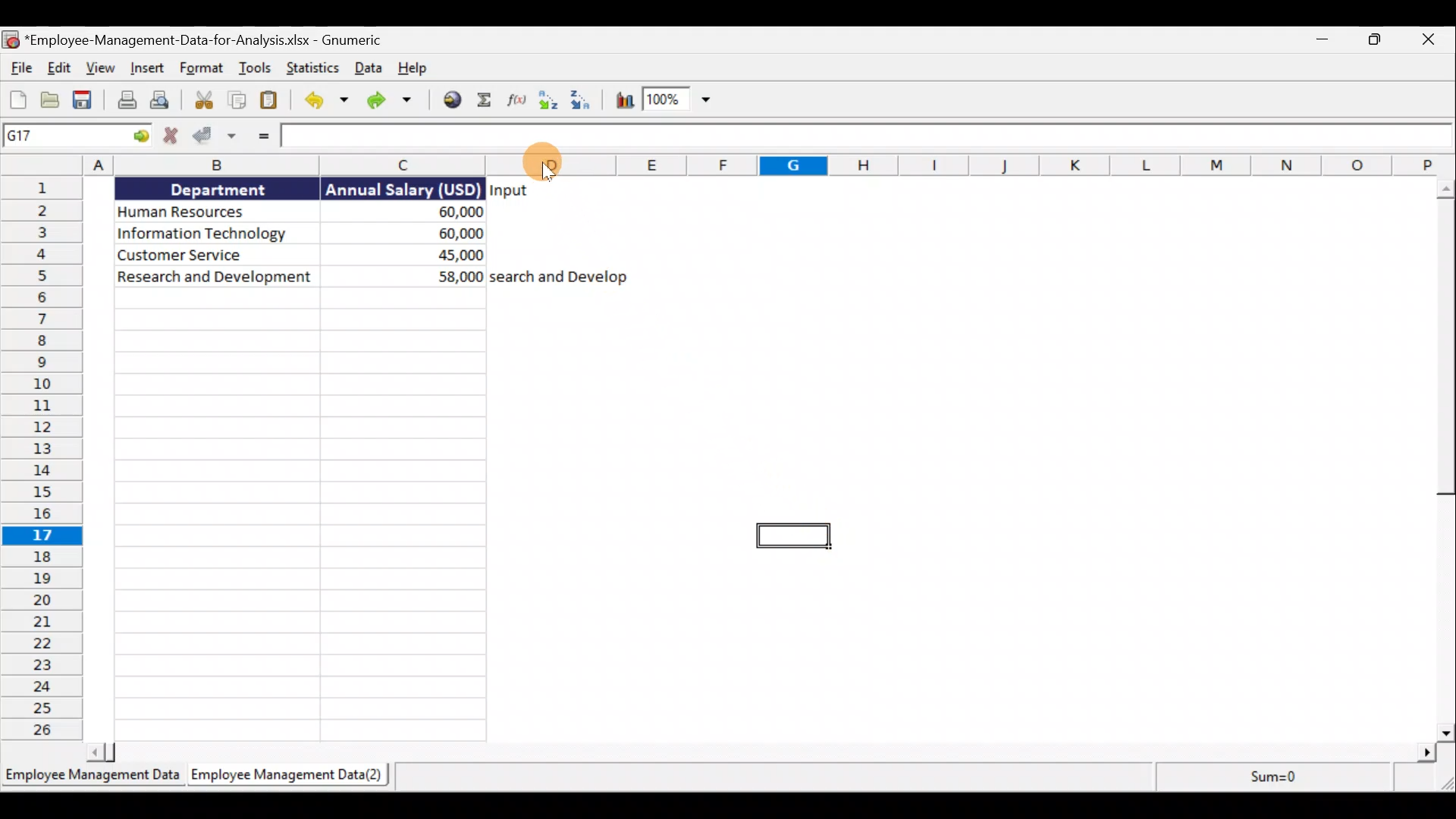 The image size is (1456, 819). I want to click on Insert, so click(149, 65).